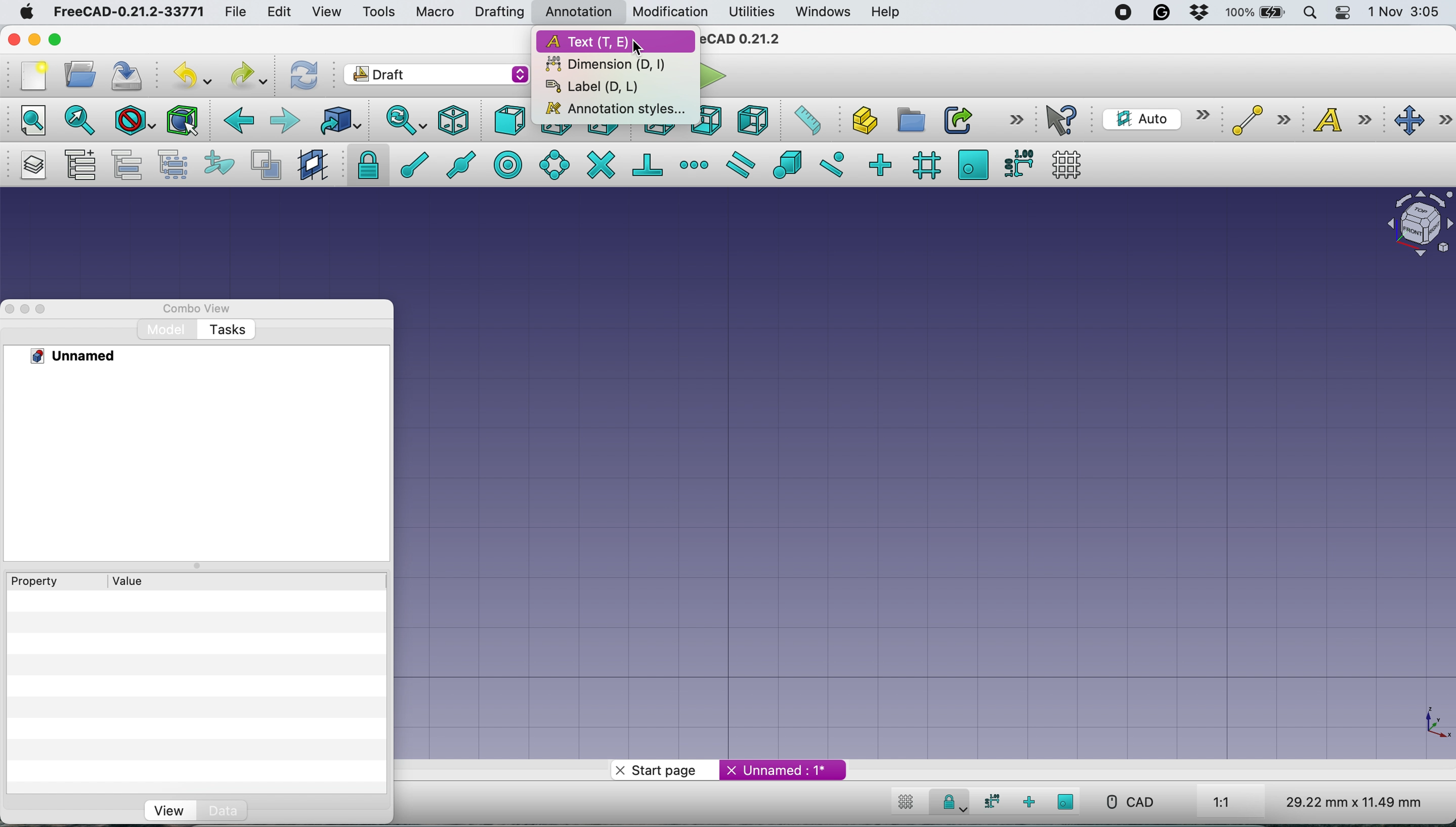 The width and height of the screenshot is (1456, 827). What do you see at coordinates (602, 130) in the screenshot?
I see `right` at bounding box center [602, 130].